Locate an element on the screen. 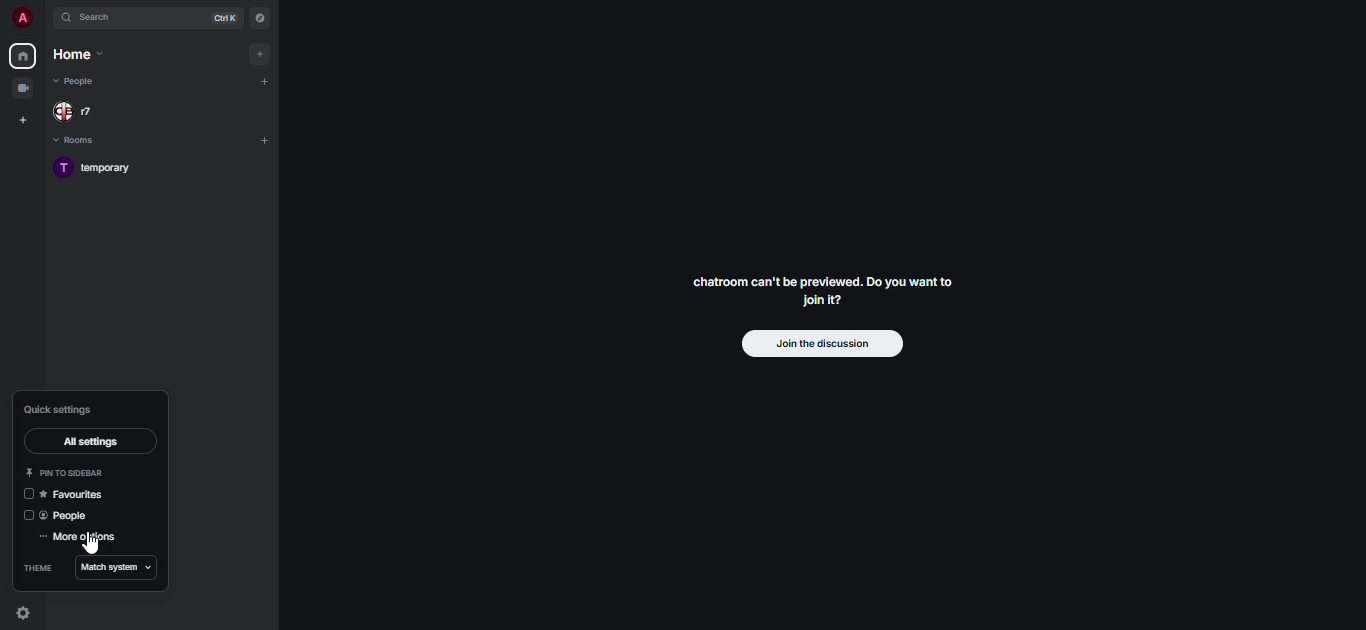 This screenshot has width=1366, height=630. add is located at coordinates (268, 140).